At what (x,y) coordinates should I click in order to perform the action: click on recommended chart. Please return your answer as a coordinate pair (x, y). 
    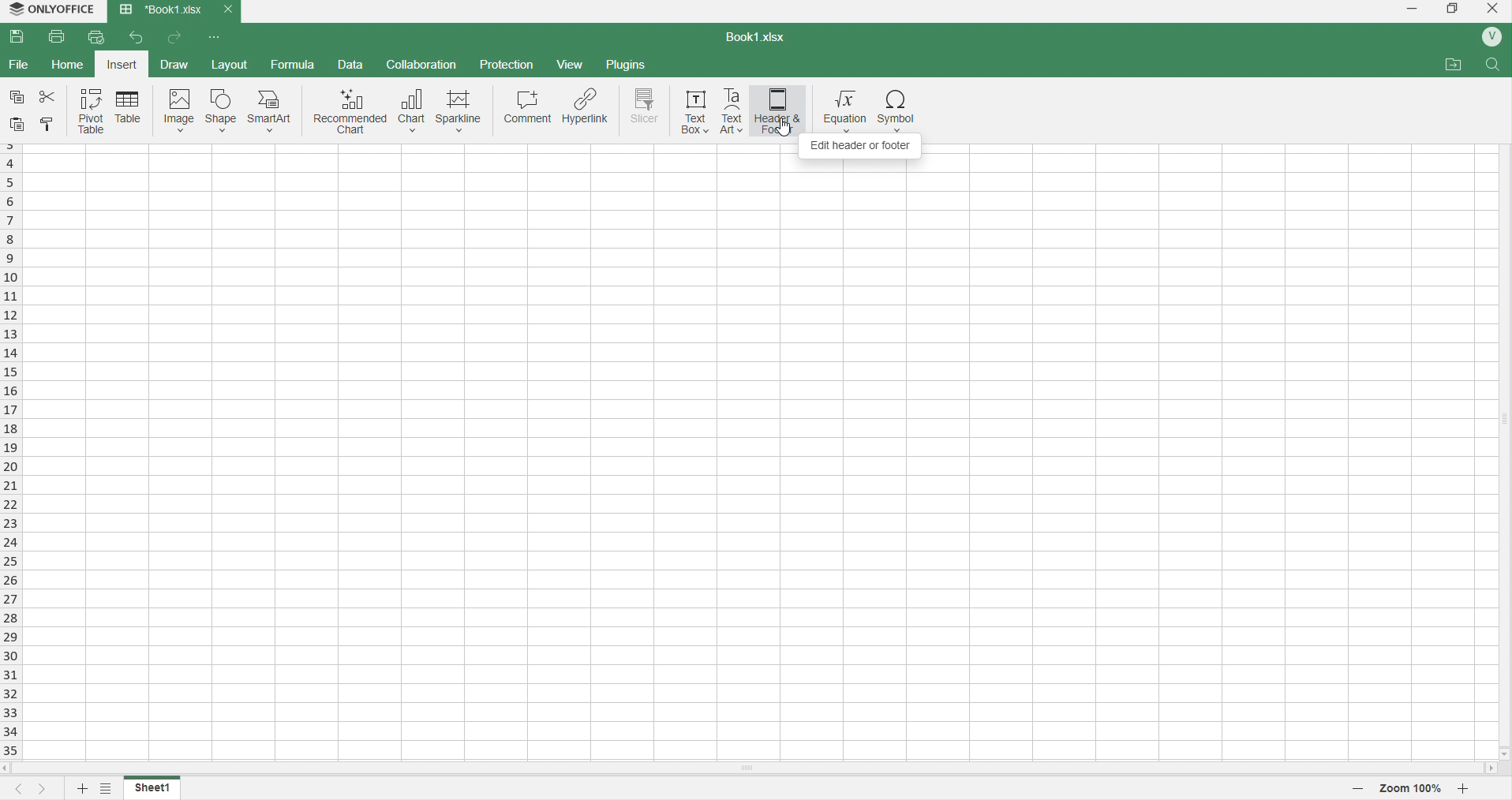
    Looking at the image, I should click on (349, 112).